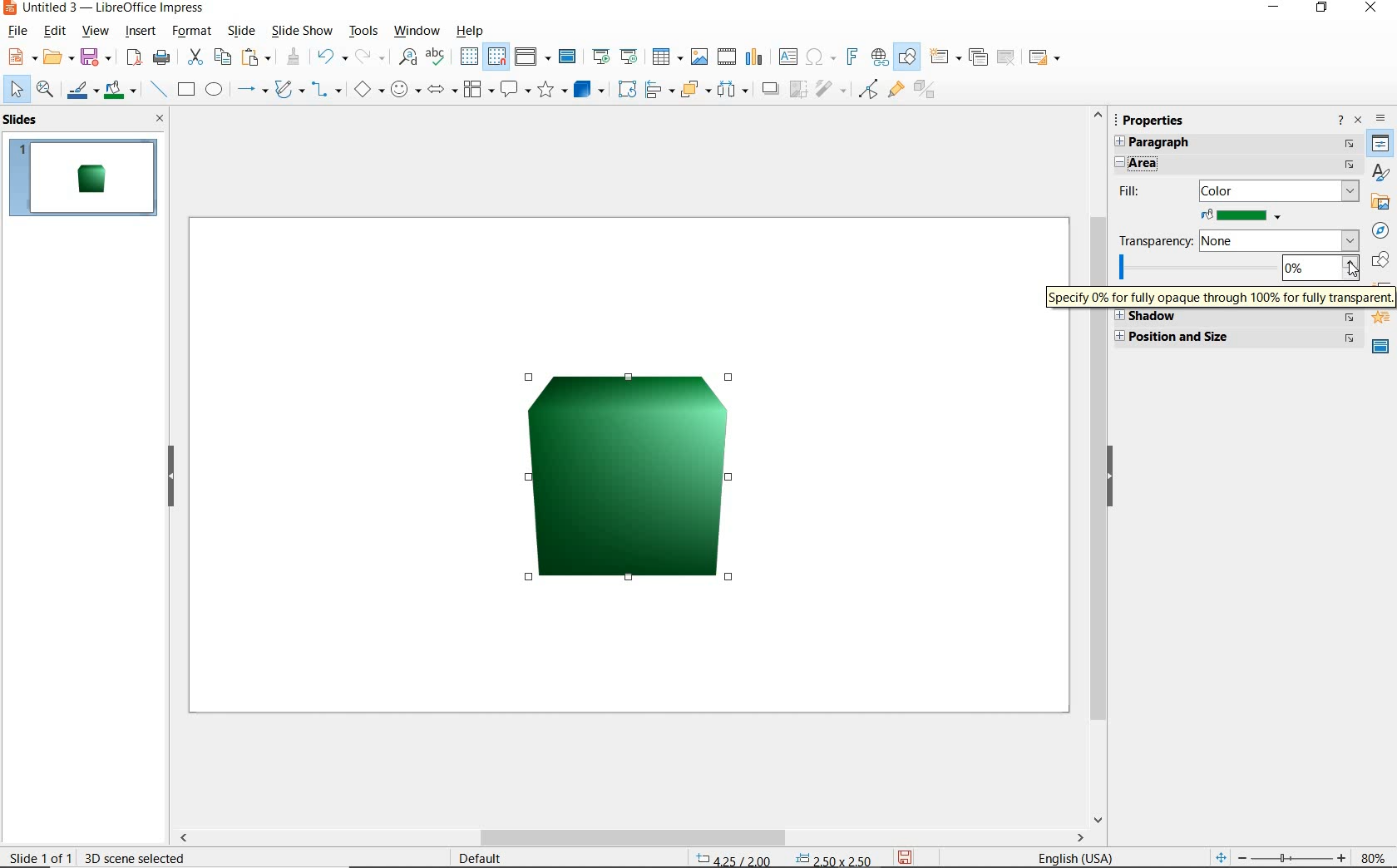 The height and width of the screenshot is (868, 1397). Describe the element at coordinates (294, 56) in the screenshot. I see `clone formatting` at that location.